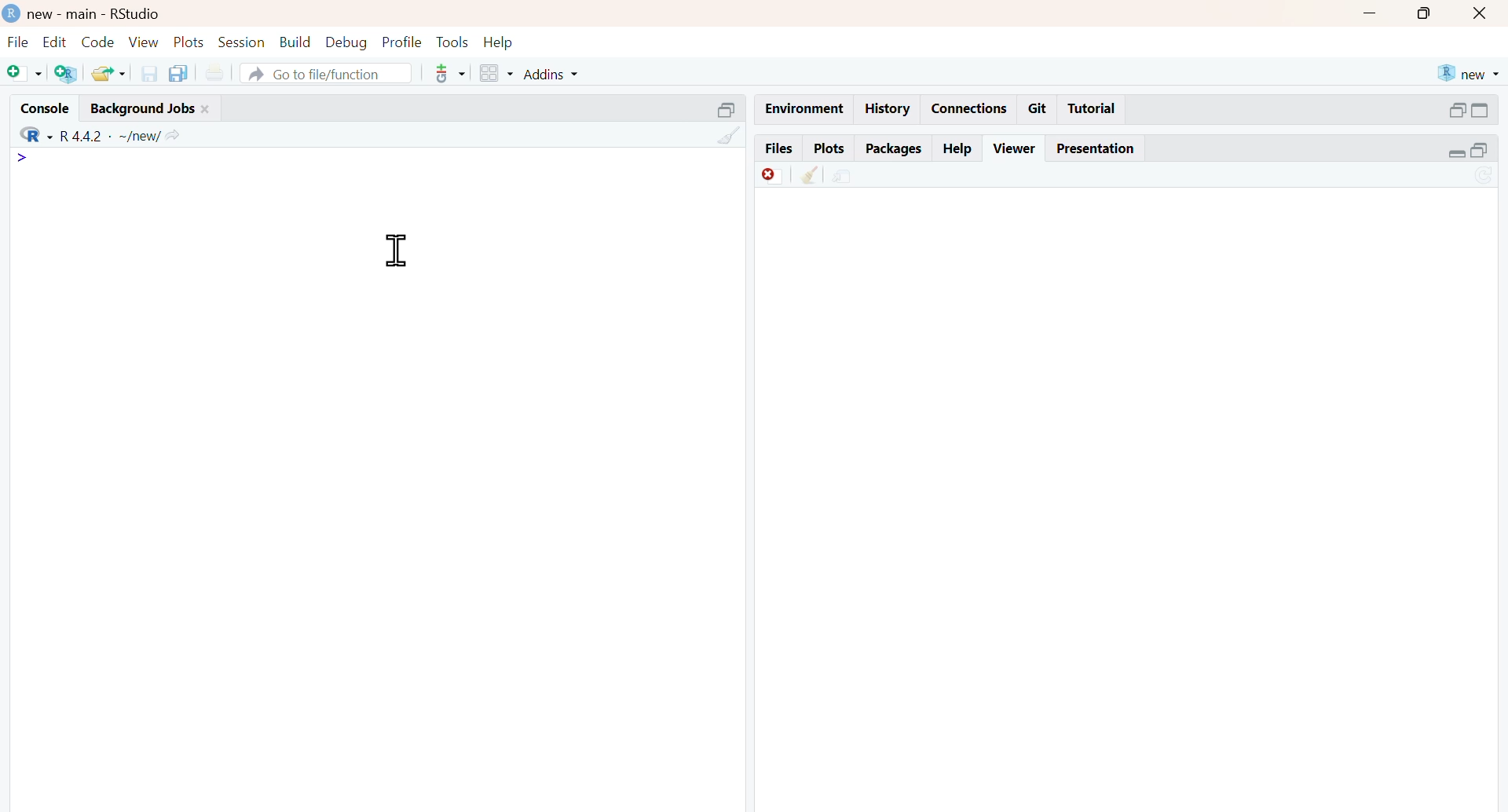 The image size is (1508, 812). I want to click on console, so click(49, 108).